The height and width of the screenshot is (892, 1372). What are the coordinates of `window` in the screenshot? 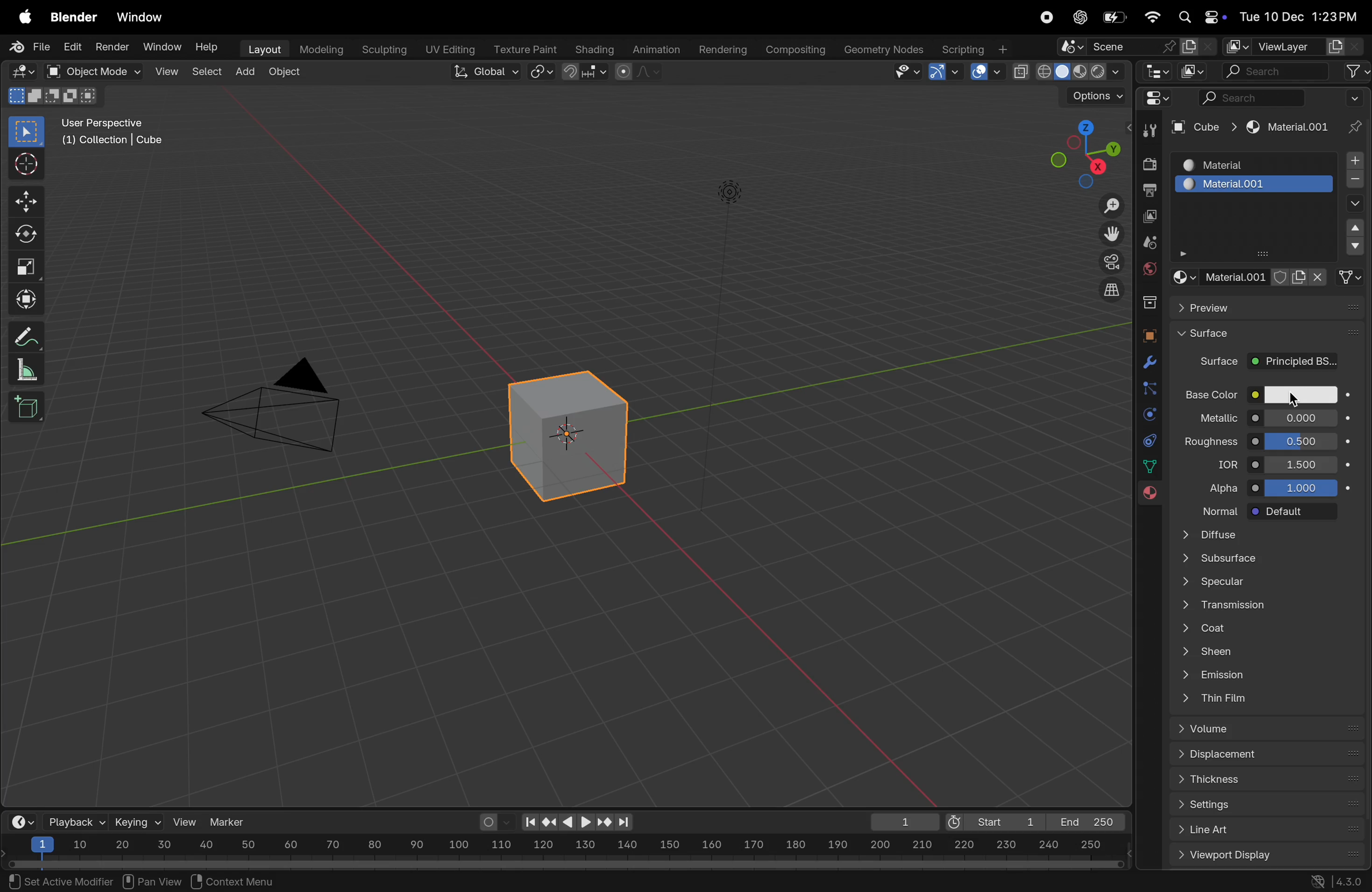 It's located at (144, 18).